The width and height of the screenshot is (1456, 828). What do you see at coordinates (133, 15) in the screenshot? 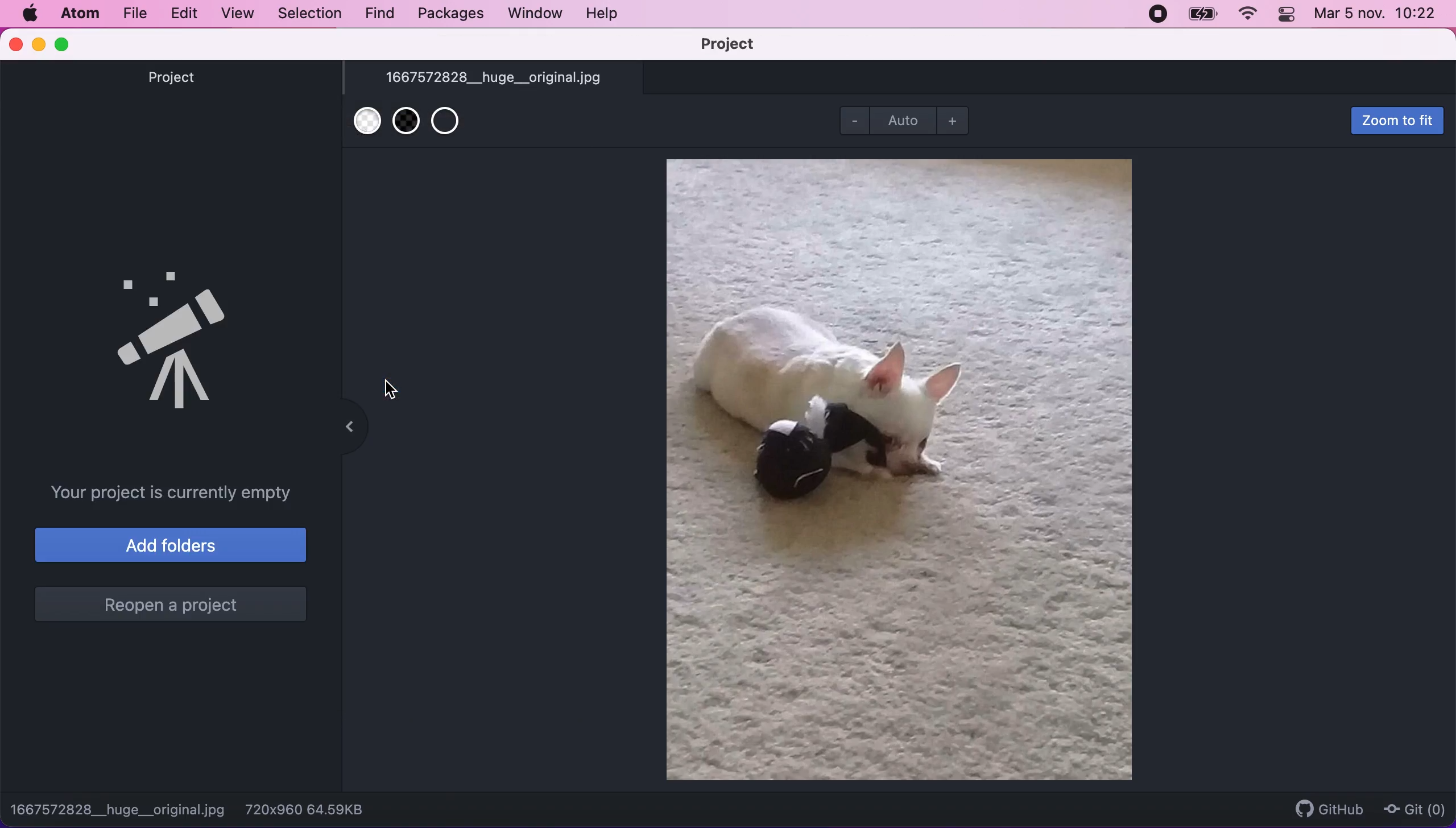
I see `file` at bounding box center [133, 15].